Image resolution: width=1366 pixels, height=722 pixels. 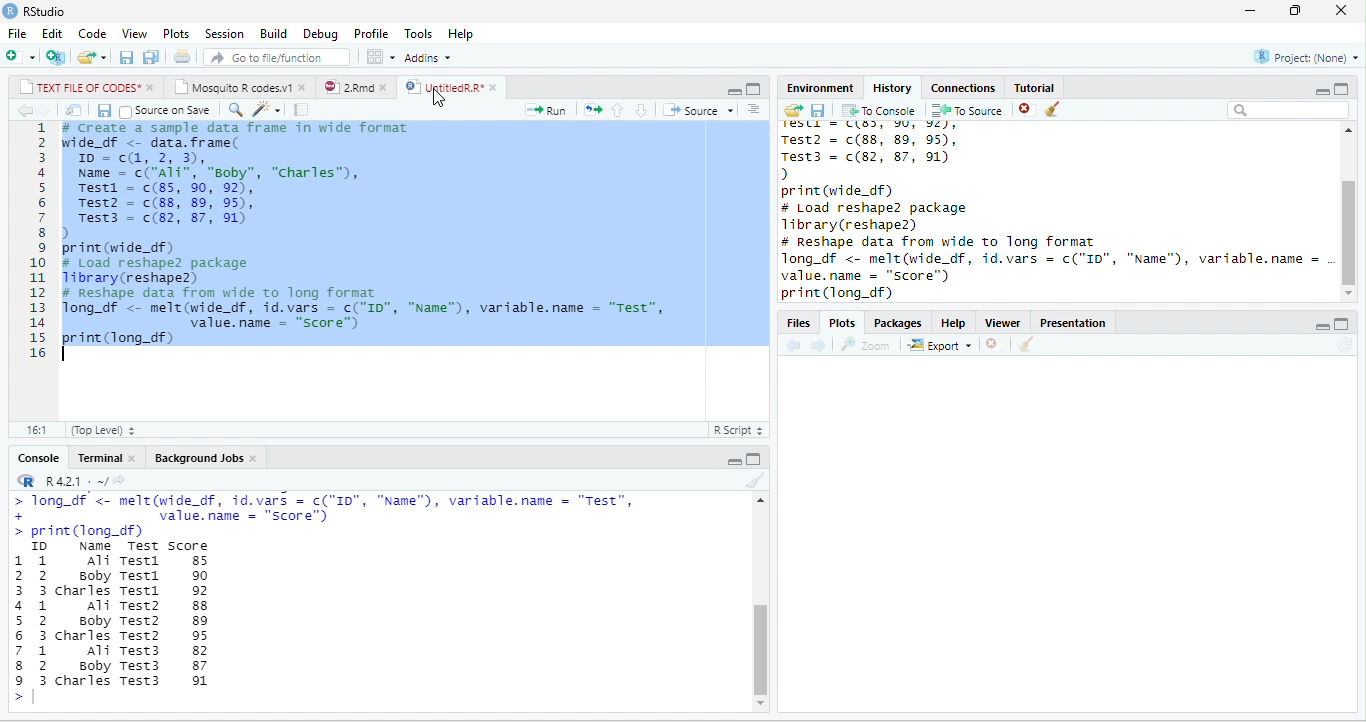 What do you see at coordinates (963, 88) in the screenshot?
I see `Connections` at bounding box center [963, 88].